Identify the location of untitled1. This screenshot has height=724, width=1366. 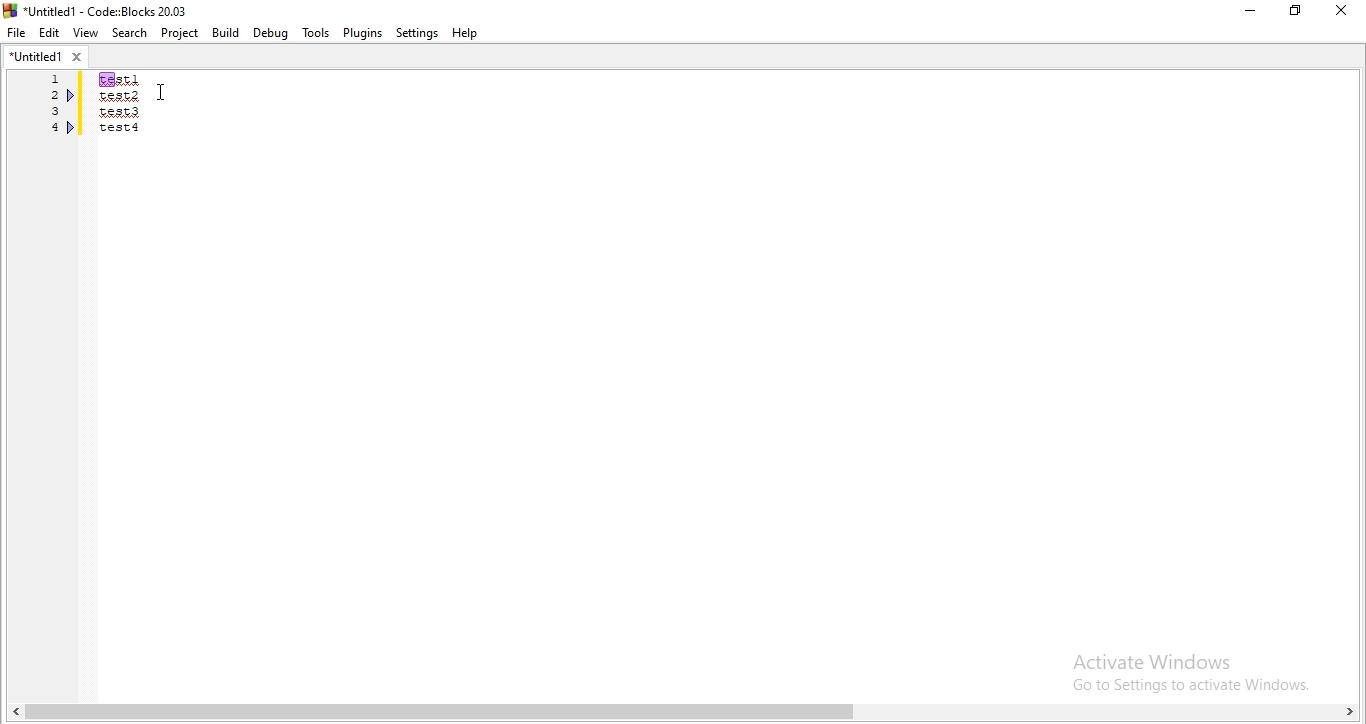
(46, 55).